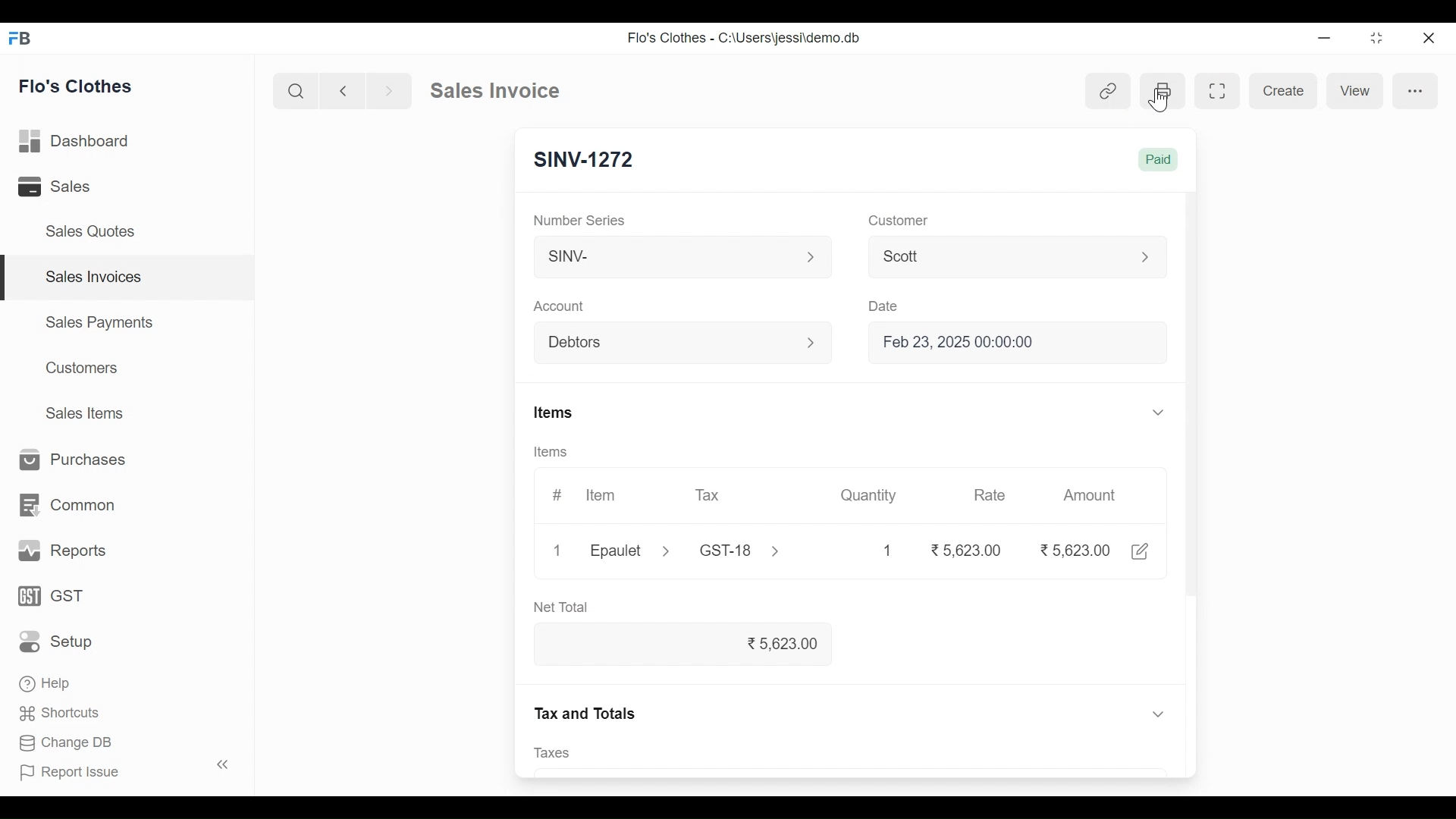 This screenshot has width=1456, height=819. Describe the element at coordinates (555, 413) in the screenshot. I see `Items` at that location.